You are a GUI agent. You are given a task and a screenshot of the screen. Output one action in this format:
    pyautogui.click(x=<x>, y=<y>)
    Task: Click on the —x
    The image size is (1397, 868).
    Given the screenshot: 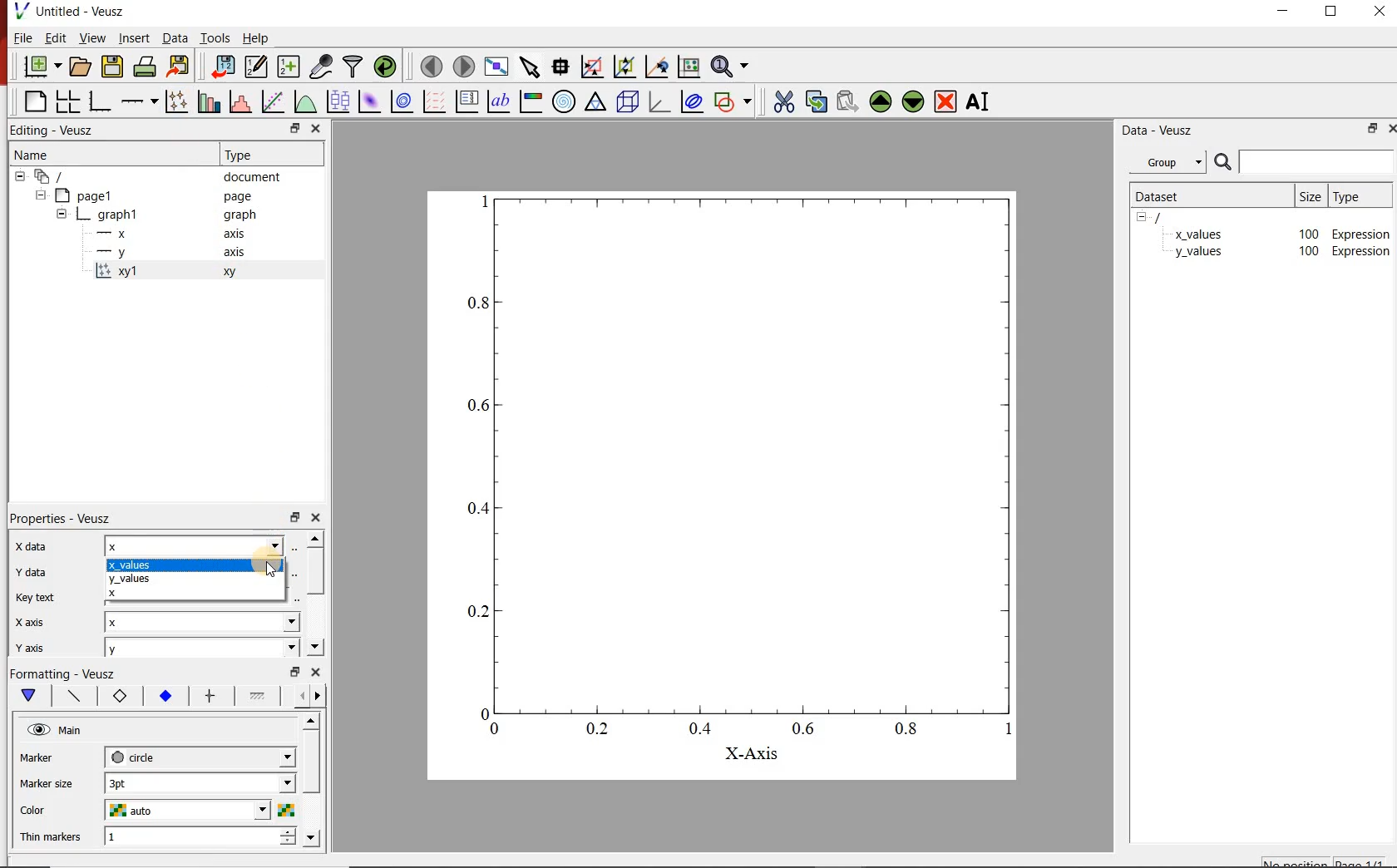 What is the action you would take?
    pyautogui.click(x=116, y=232)
    